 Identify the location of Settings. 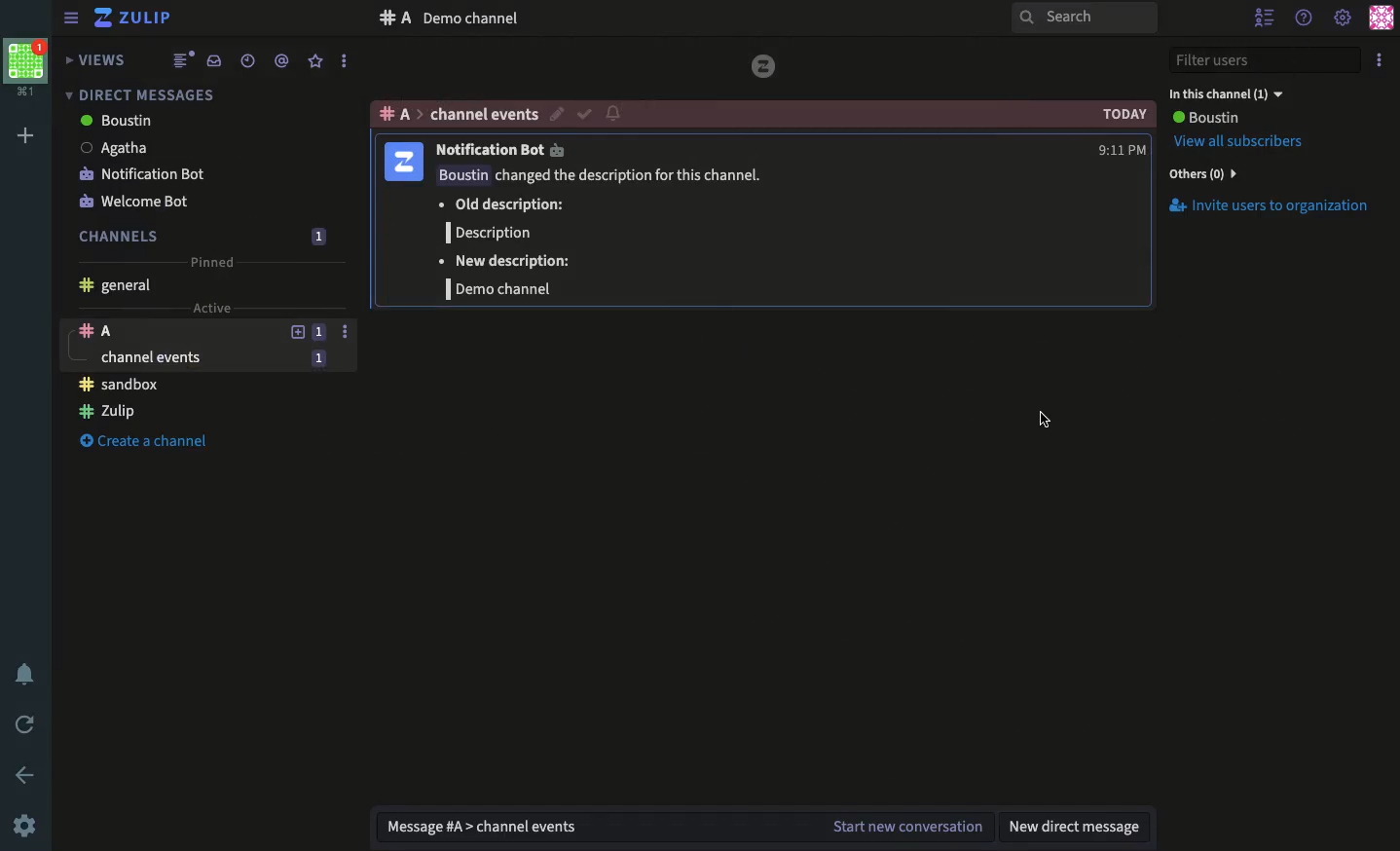
(25, 828).